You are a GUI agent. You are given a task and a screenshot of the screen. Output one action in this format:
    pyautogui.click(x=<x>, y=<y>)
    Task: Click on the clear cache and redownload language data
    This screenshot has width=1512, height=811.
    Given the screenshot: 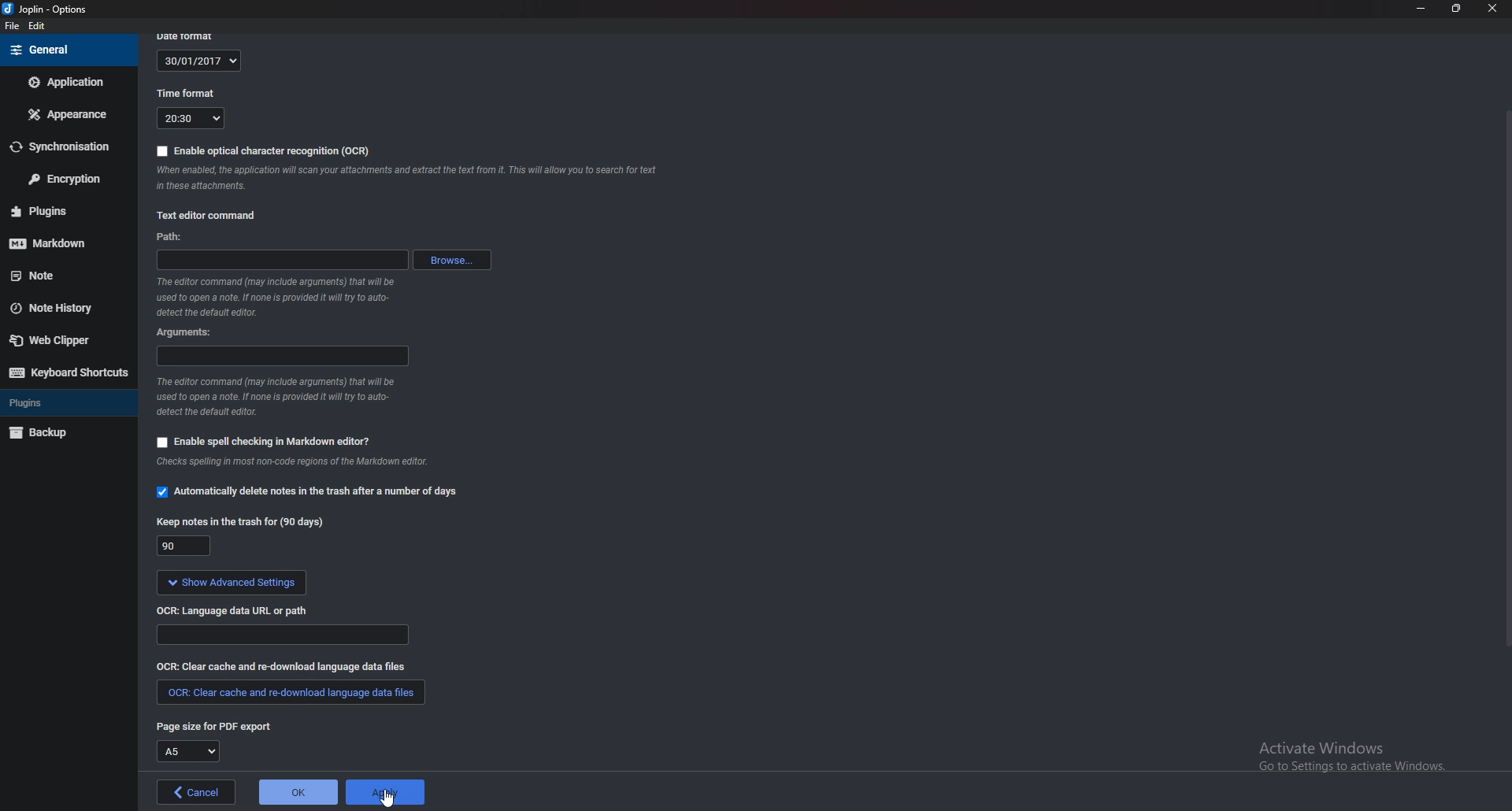 What is the action you would take?
    pyautogui.click(x=280, y=667)
    